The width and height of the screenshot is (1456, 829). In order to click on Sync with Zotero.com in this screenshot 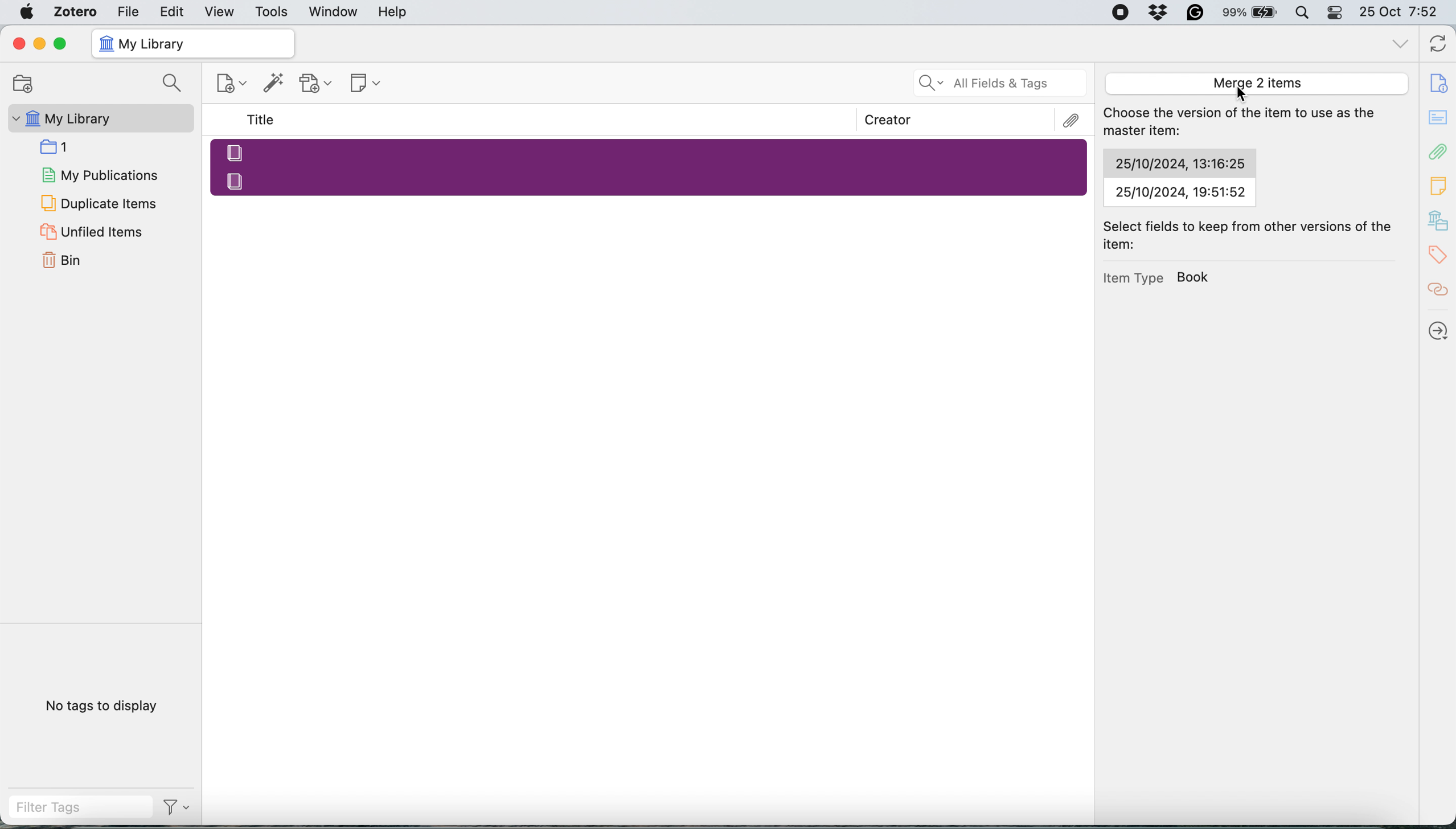, I will do `click(1439, 46)`.